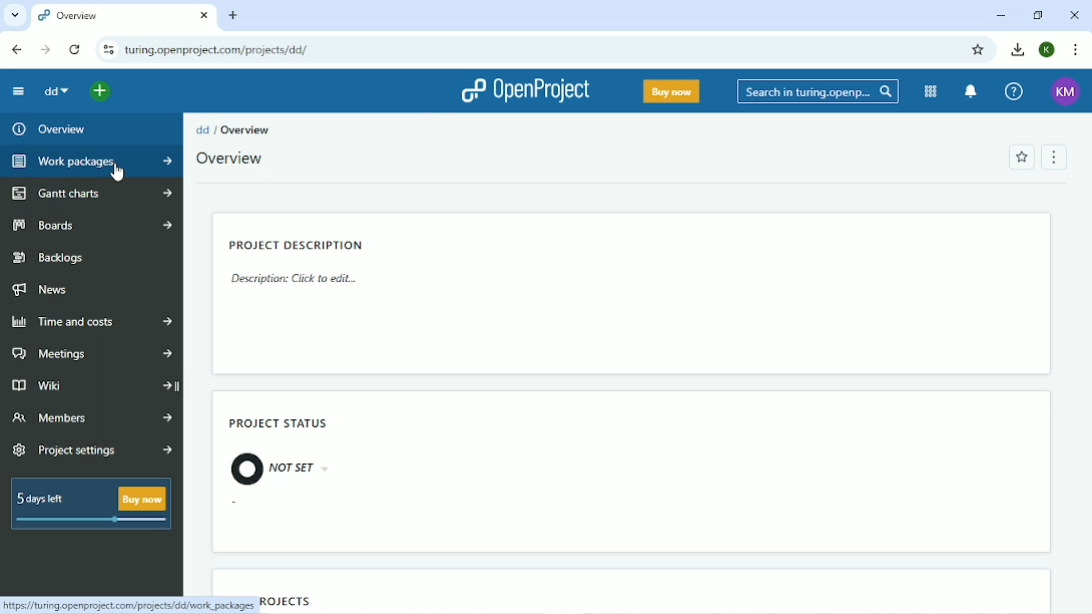  I want to click on Back, so click(18, 50).